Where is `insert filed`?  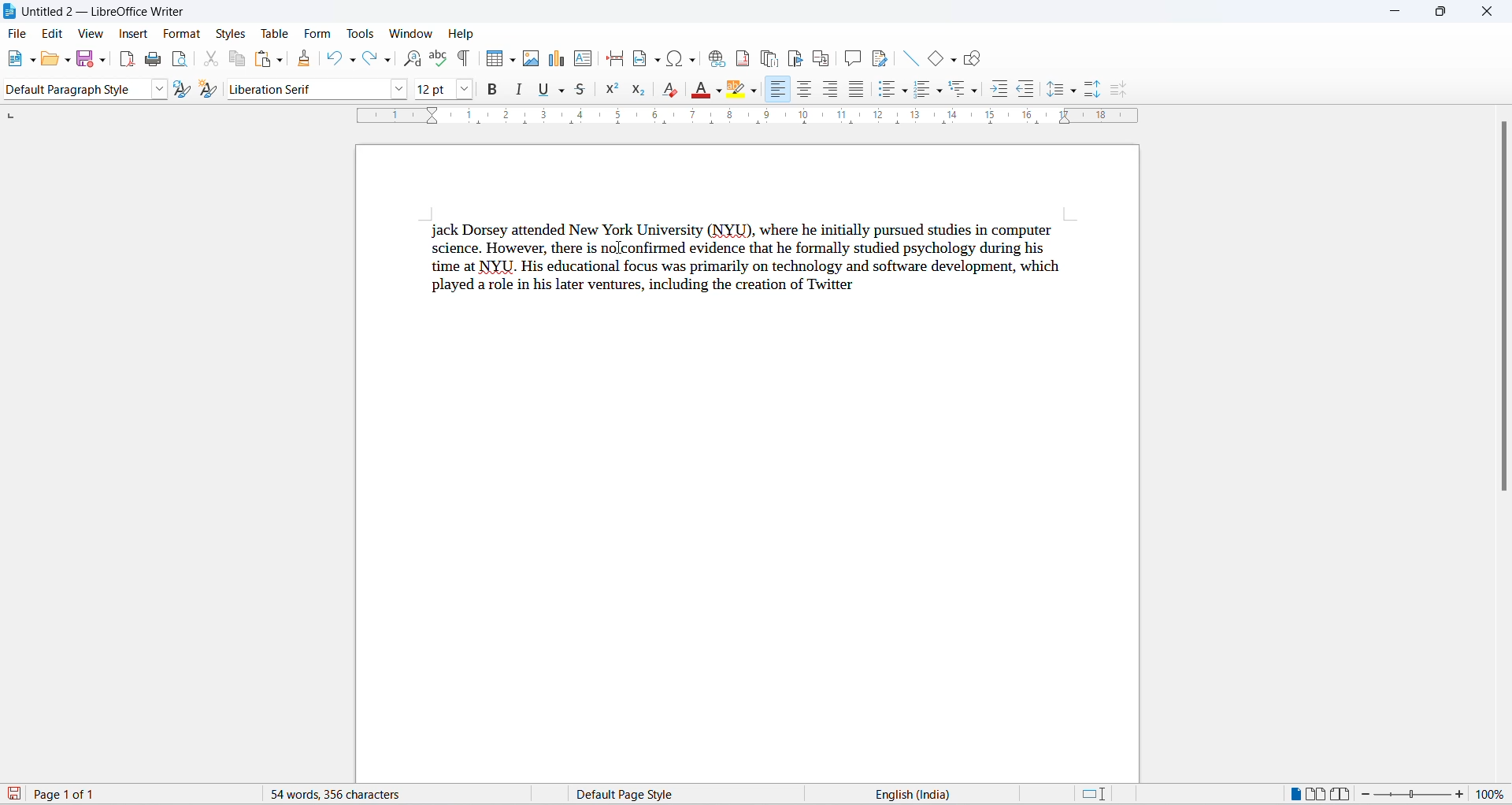
insert filed is located at coordinates (646, 58).